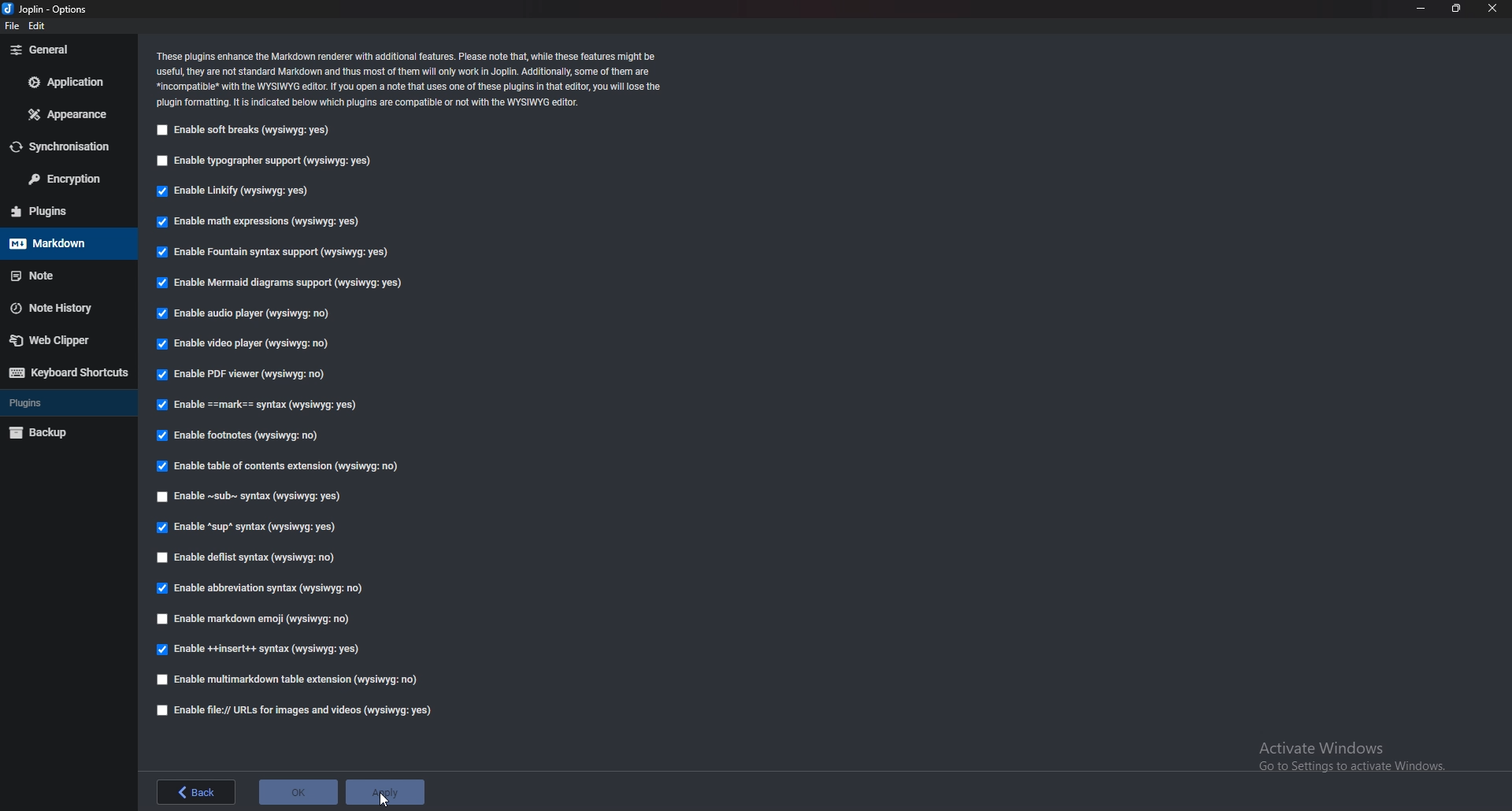 This screenshot has height=811, width=1512. Describe the element at coordinates (264, 405) in the screenshot. I see `enable Mark Syntax` at that location.